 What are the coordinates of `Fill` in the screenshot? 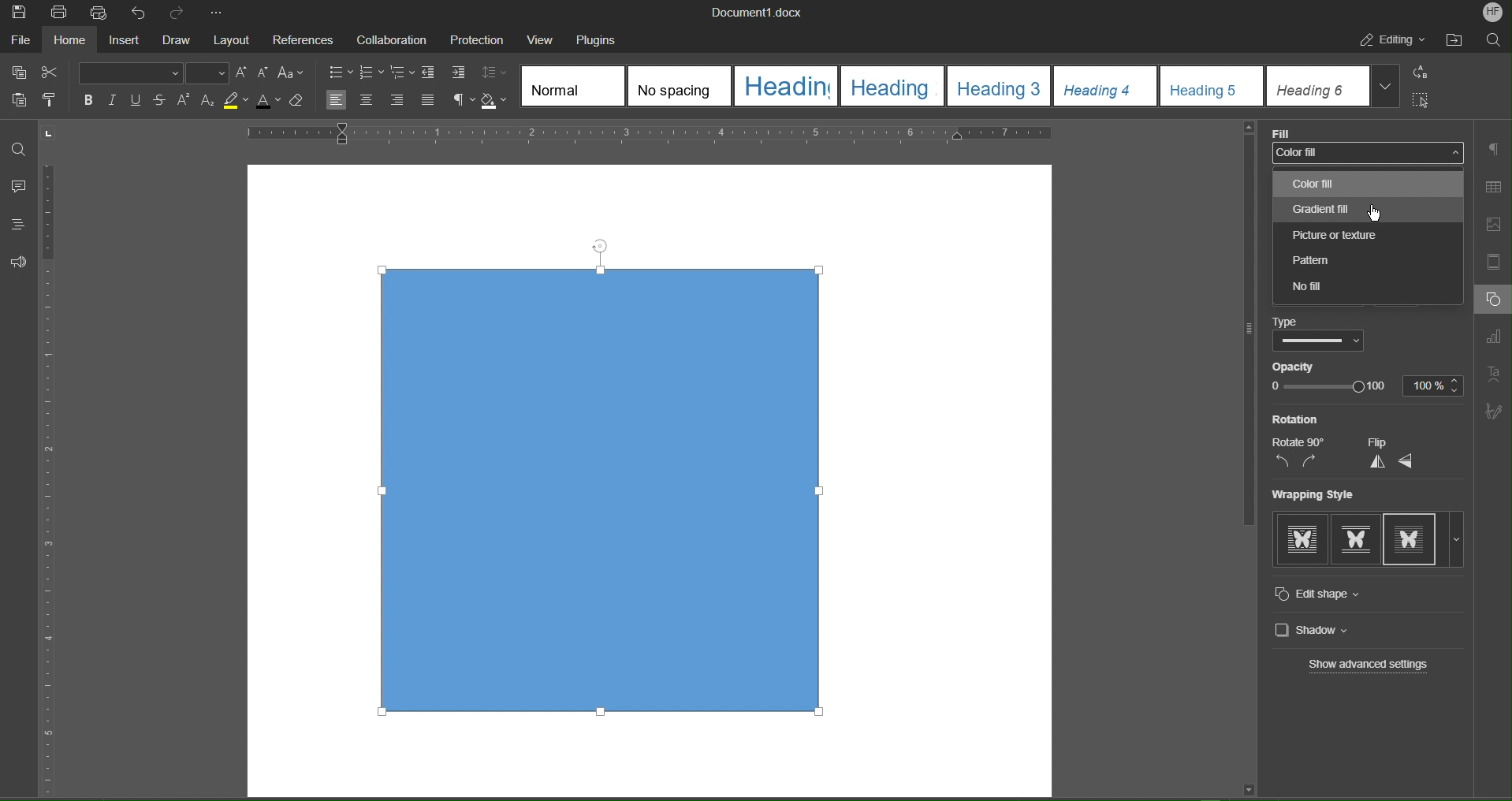 It's located at (1283, 130).